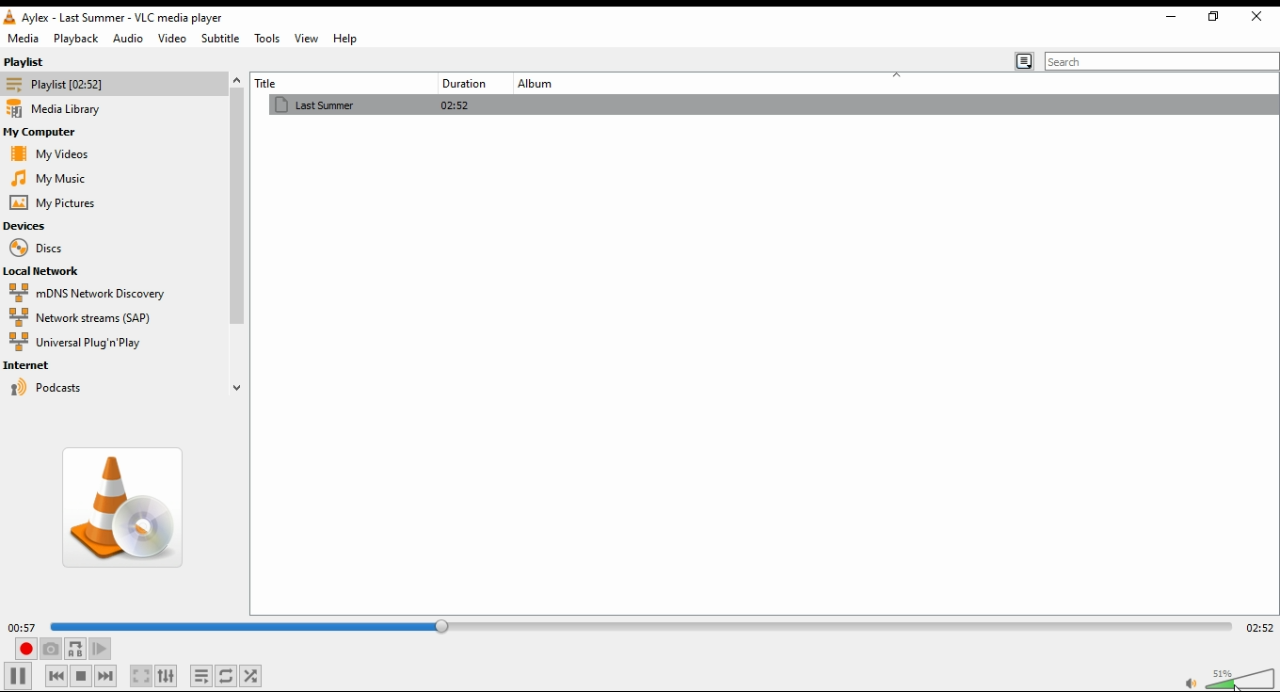  Describe the element at coordinates (48, 178) in the screenshot. I see `my music` at that location.